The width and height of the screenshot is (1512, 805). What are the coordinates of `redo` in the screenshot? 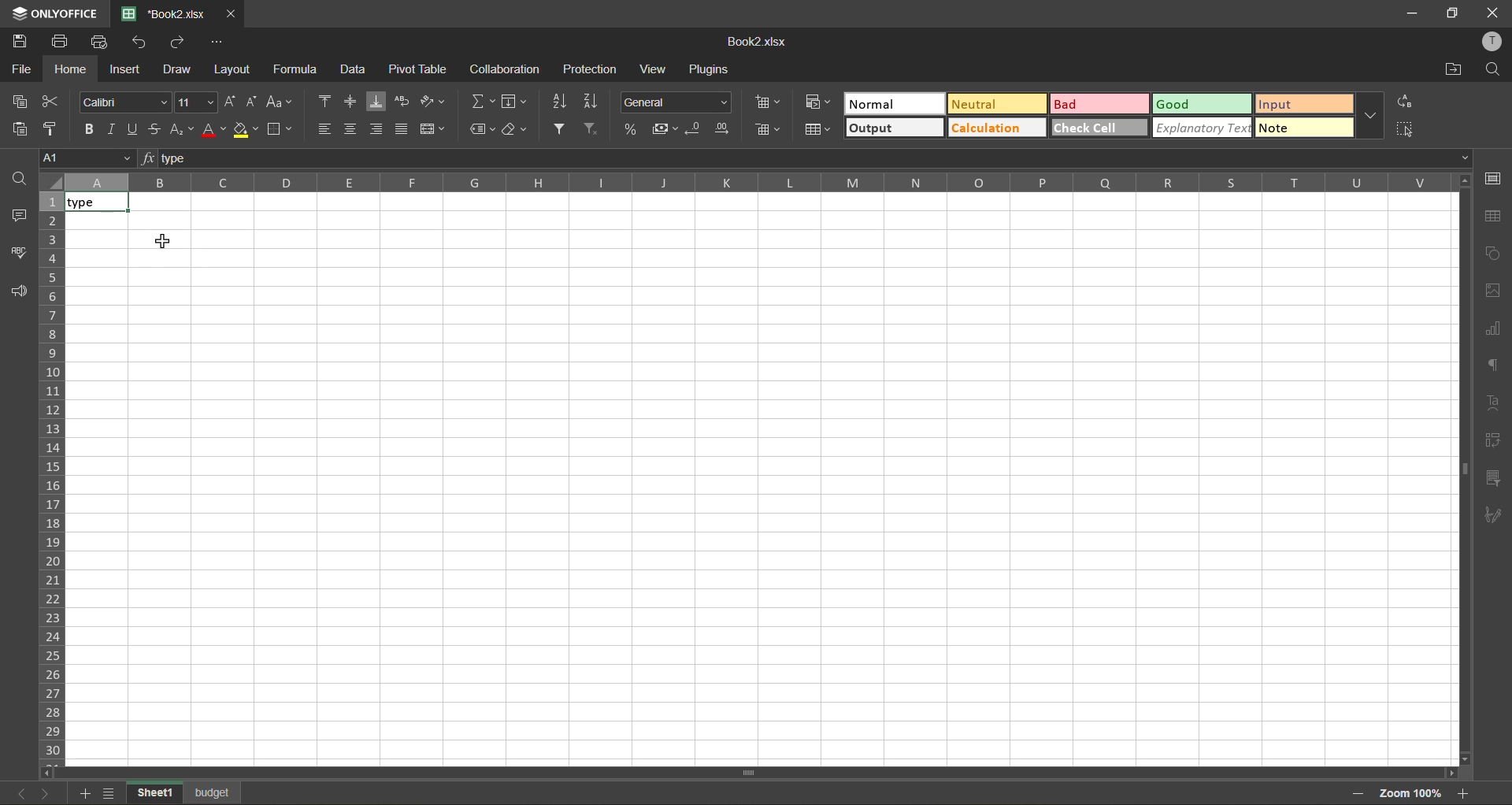 It's located at (178, 43).